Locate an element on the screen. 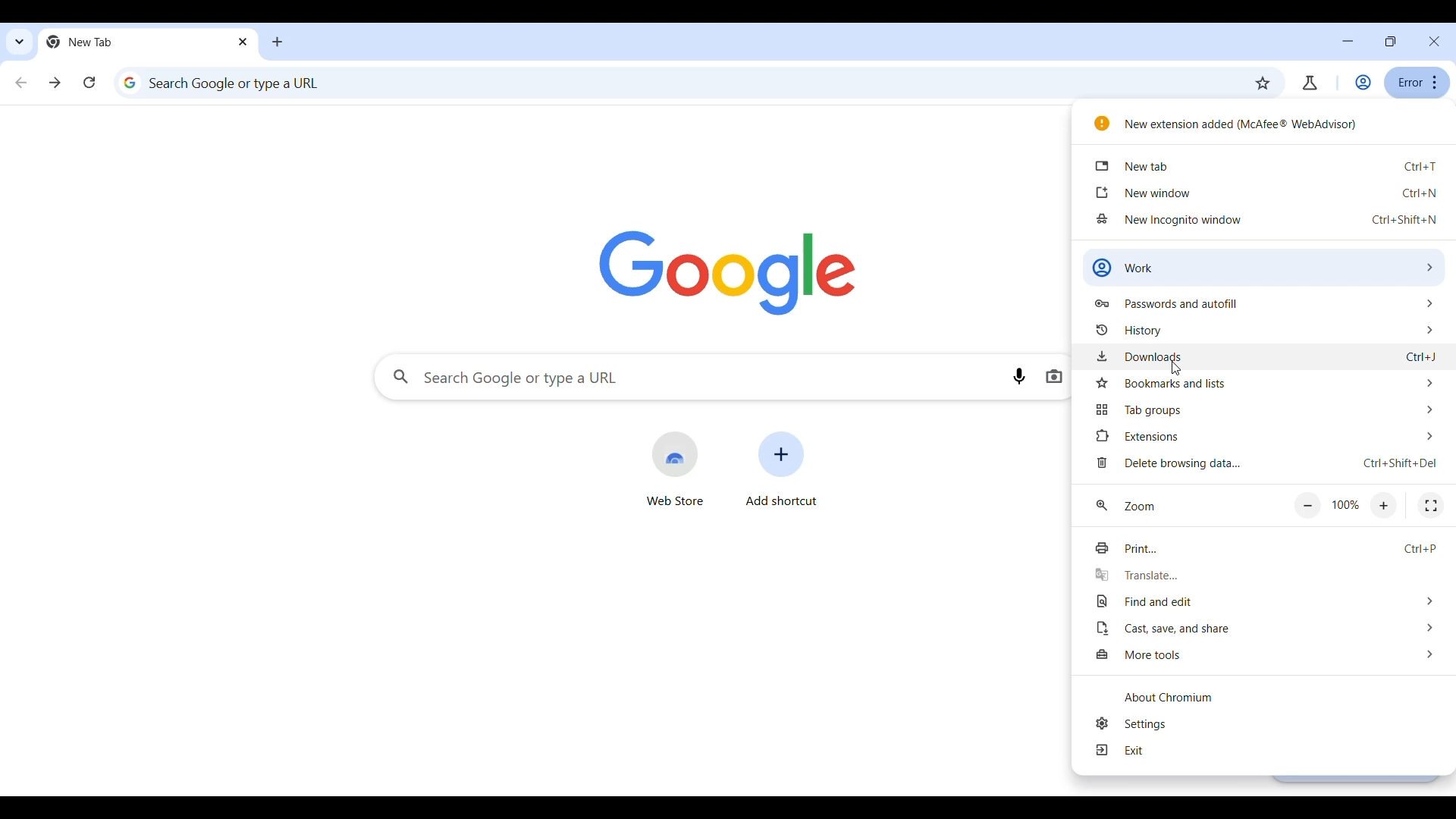 The height and width of the screenshot is (819, 1456). Cursor  is located at coordinates (1176, 369).